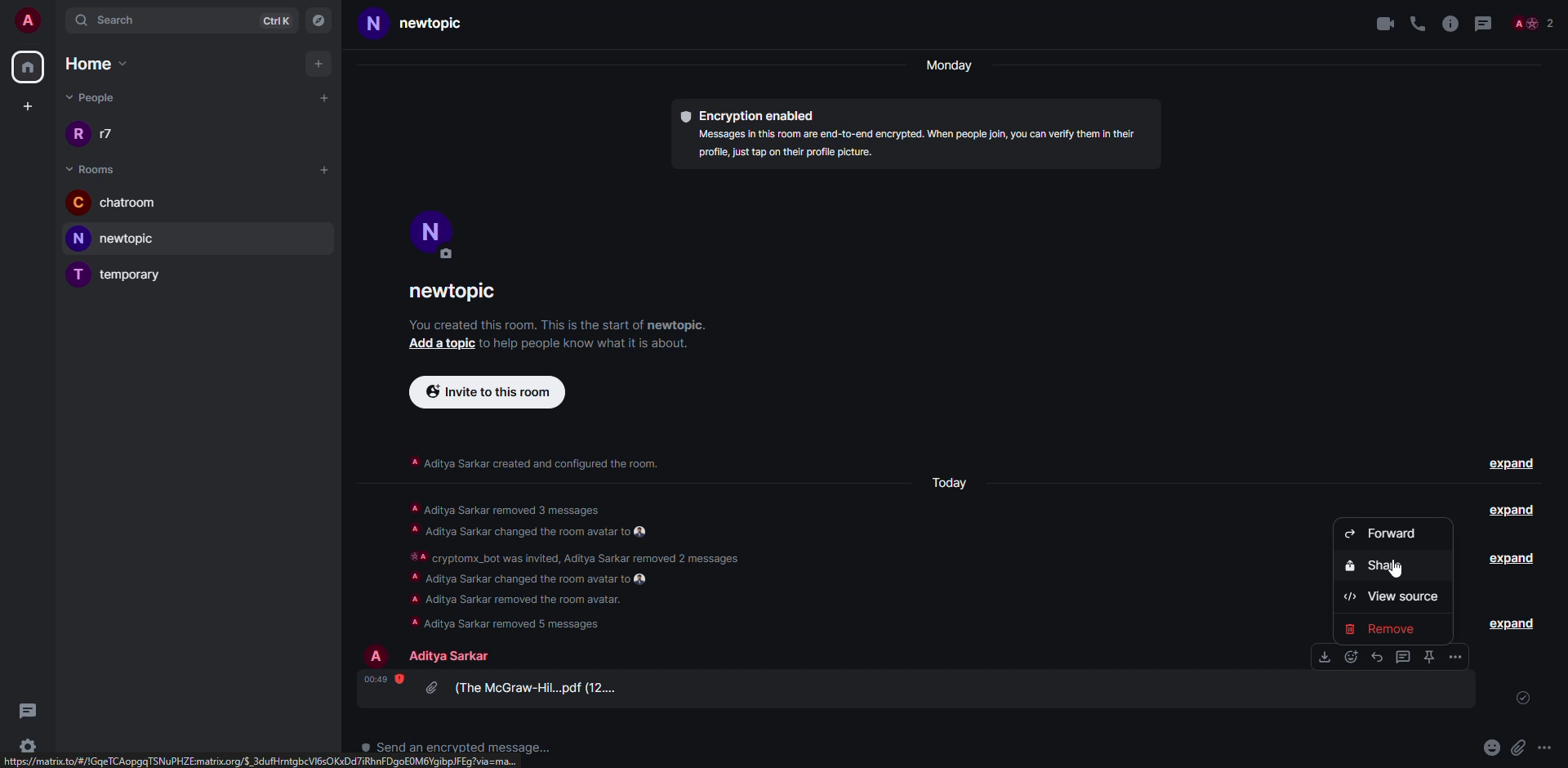  I want to click on send an encrypted message, so click(458, 749).